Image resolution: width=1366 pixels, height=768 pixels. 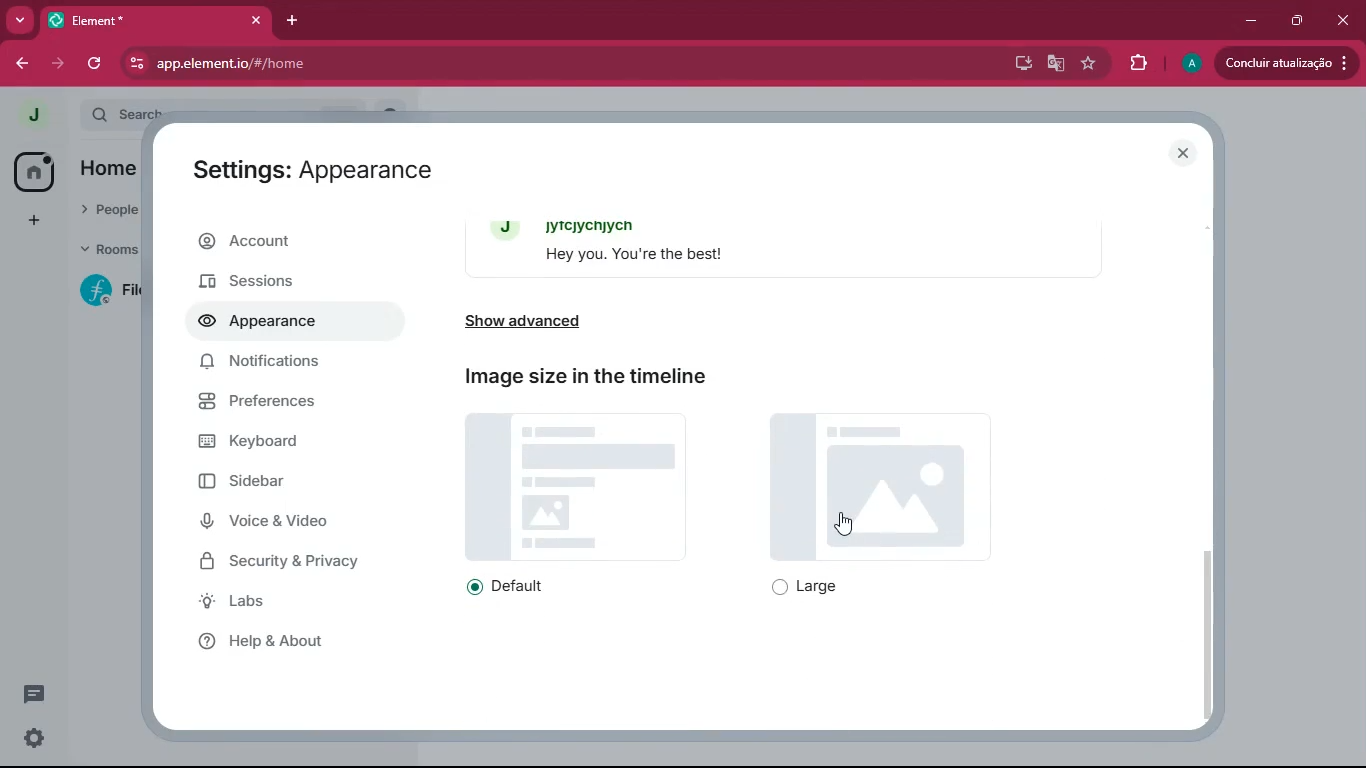 What do you see at coordinates (295, 561) in the screenshot?
I see `security & privacy ` at bounding box center [295, 561].